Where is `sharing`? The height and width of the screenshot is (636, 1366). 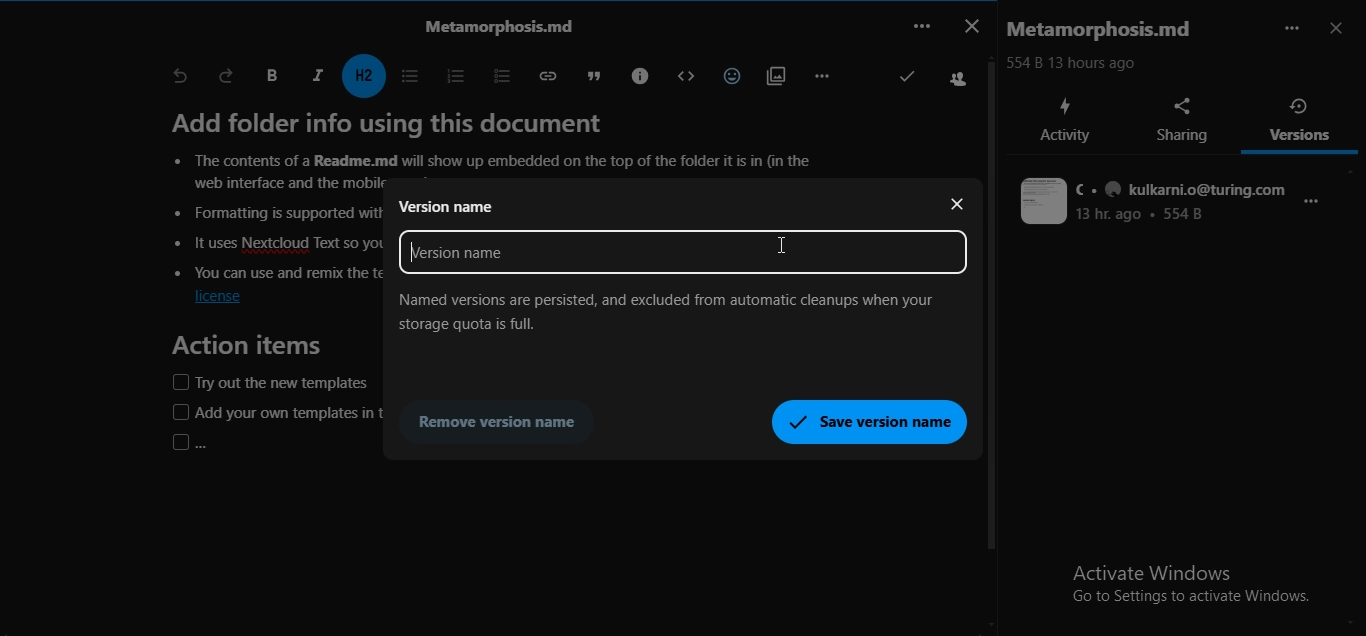
sharing is located at coordinates (1186, 120).